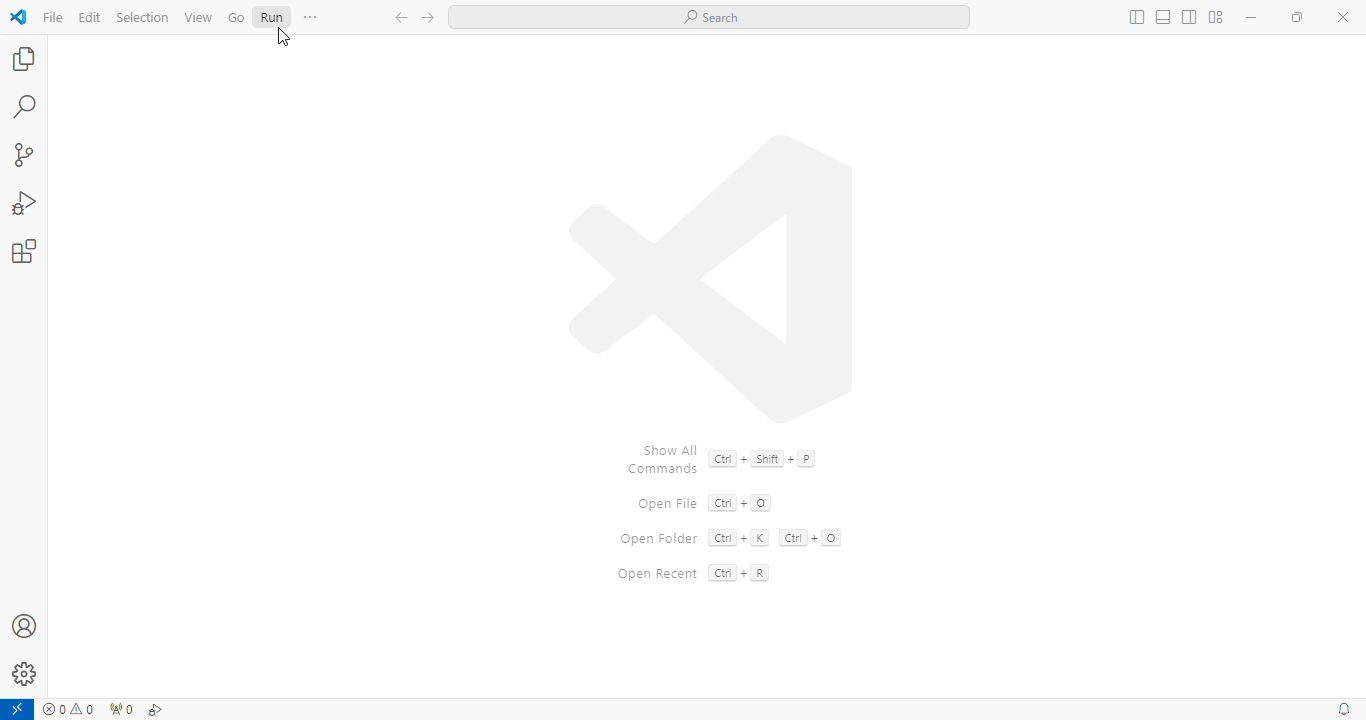  Describe the element at coordinates (26, 203) in the screenshot. I see `run and debug` at that location.